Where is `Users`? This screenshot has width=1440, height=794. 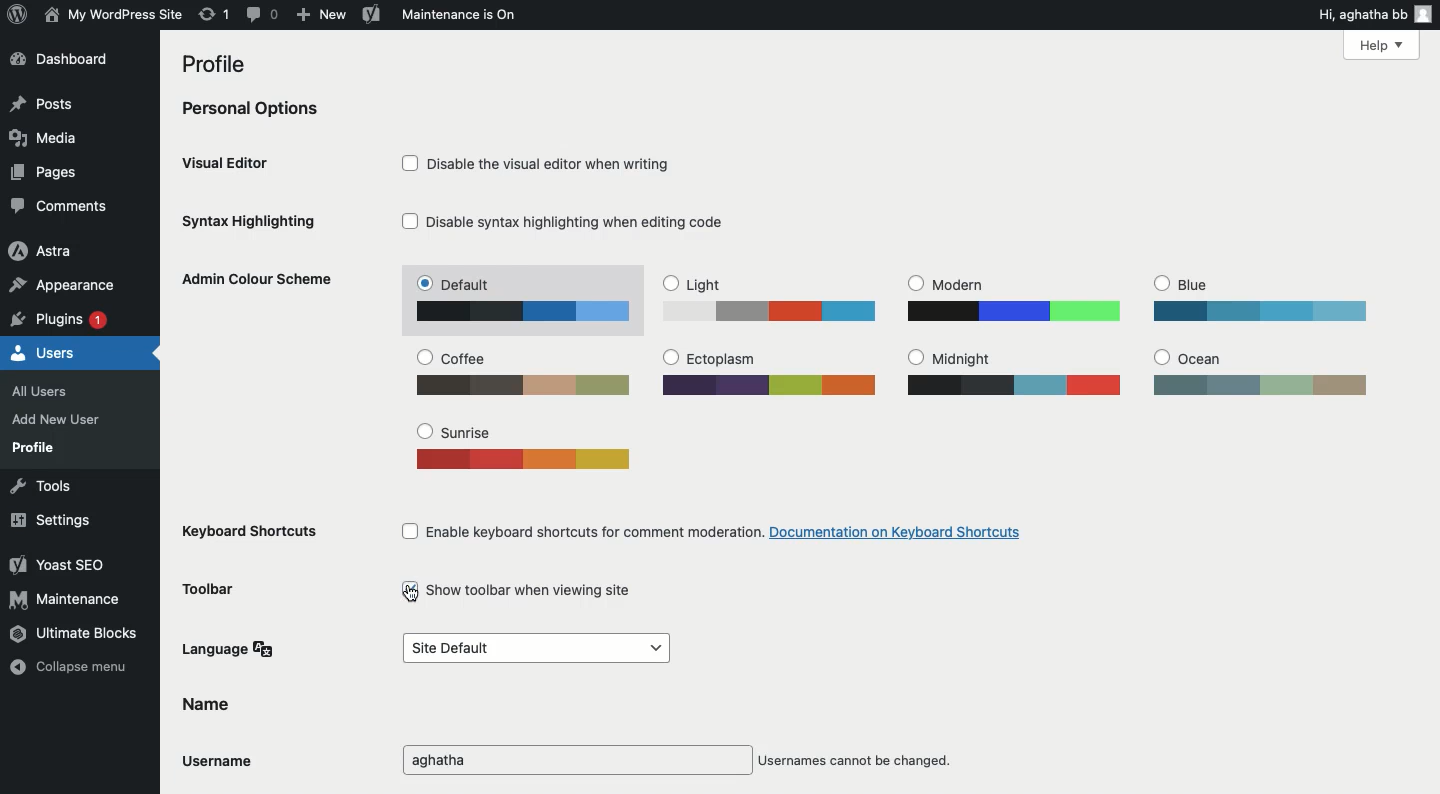
Users is located at coordinates (47, 353).